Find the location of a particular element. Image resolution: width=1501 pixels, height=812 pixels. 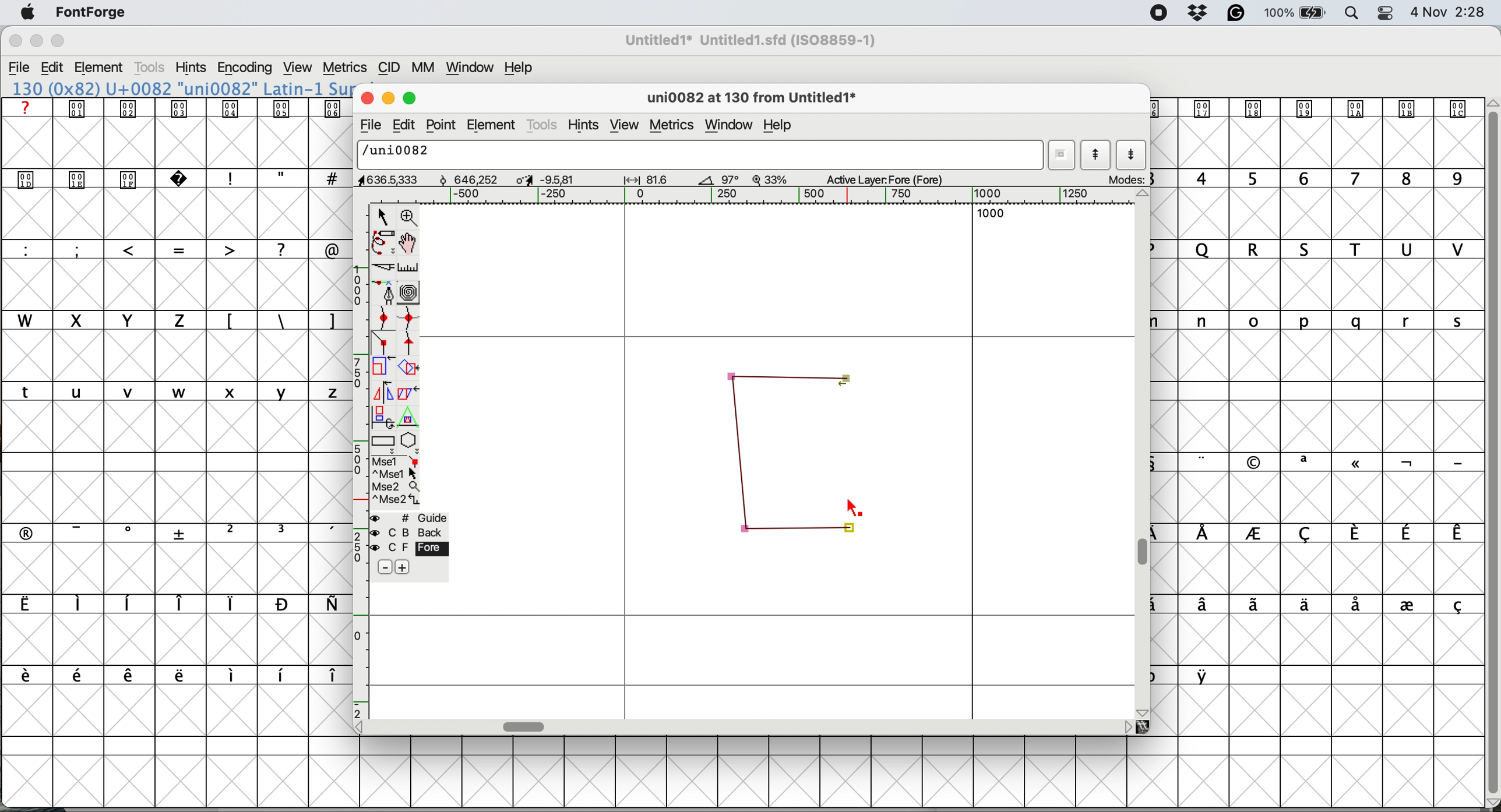

close is located at coordinates (365, 96).